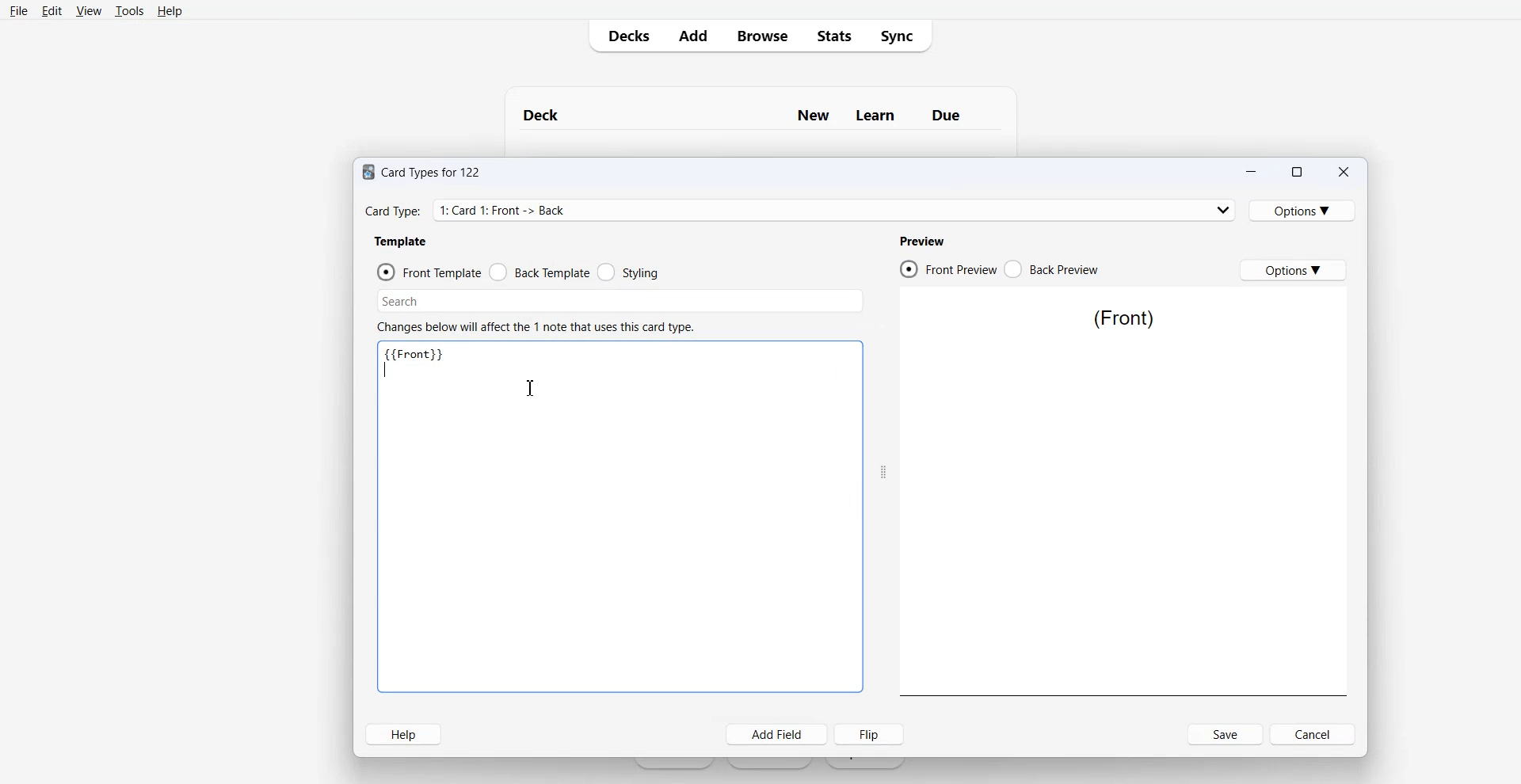 The height and width of the screenshot is (784, 1521). I want to click on Text 1, so click(745, 116).